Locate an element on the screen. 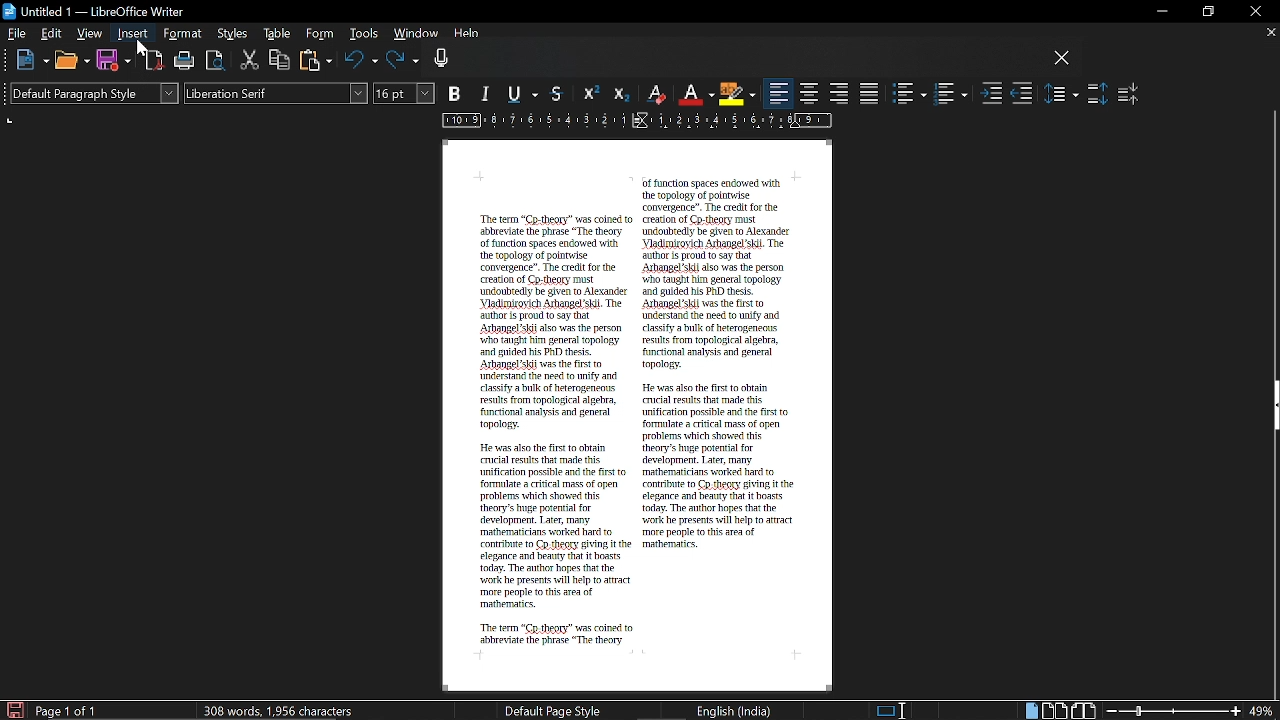 This screenshot has height=720, width=1280. View is located at coordinates (90, 32).